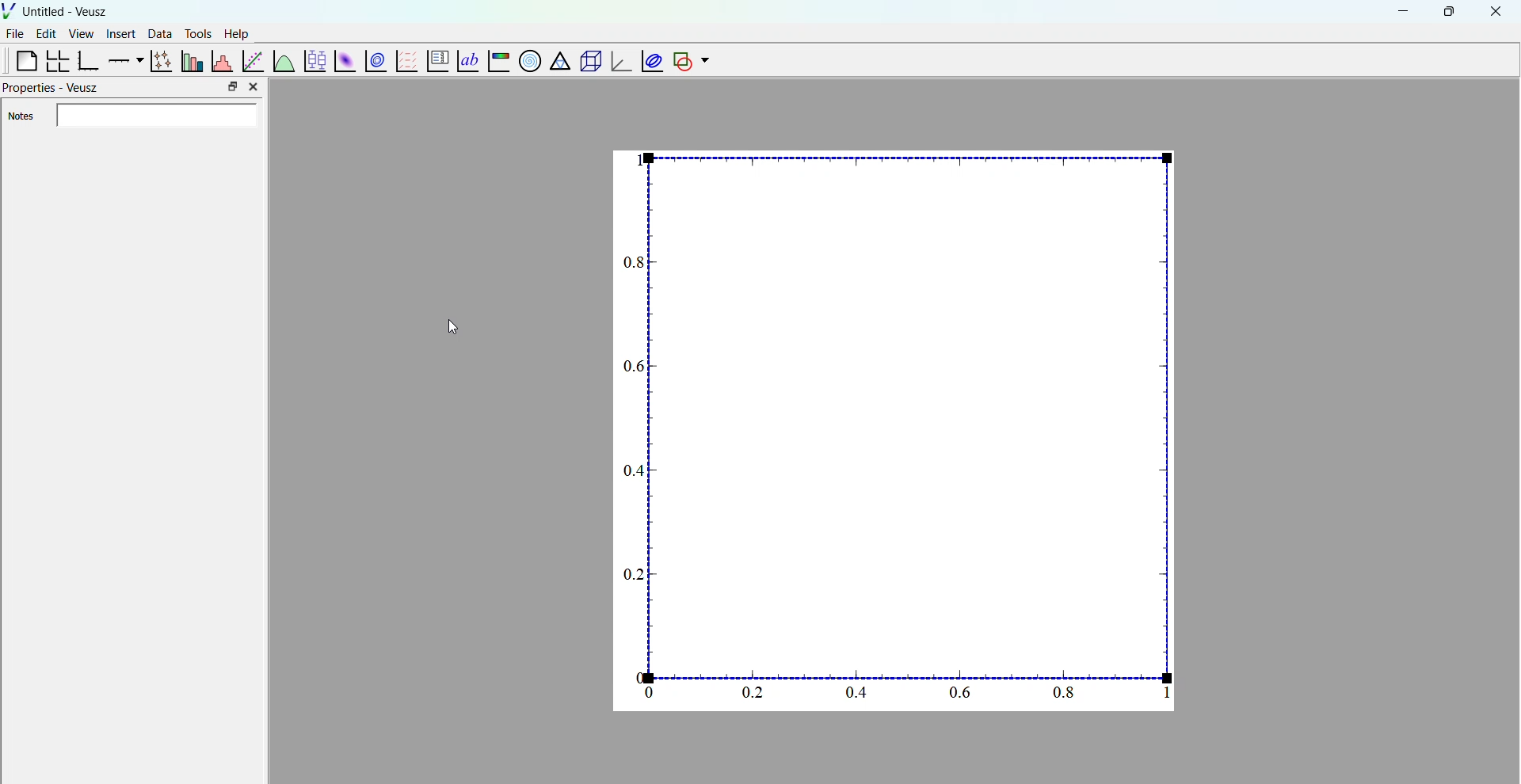 Image resolution: width=1521 pixels, height=784 pixels. I want to click on maximize, so click(1447, 10).